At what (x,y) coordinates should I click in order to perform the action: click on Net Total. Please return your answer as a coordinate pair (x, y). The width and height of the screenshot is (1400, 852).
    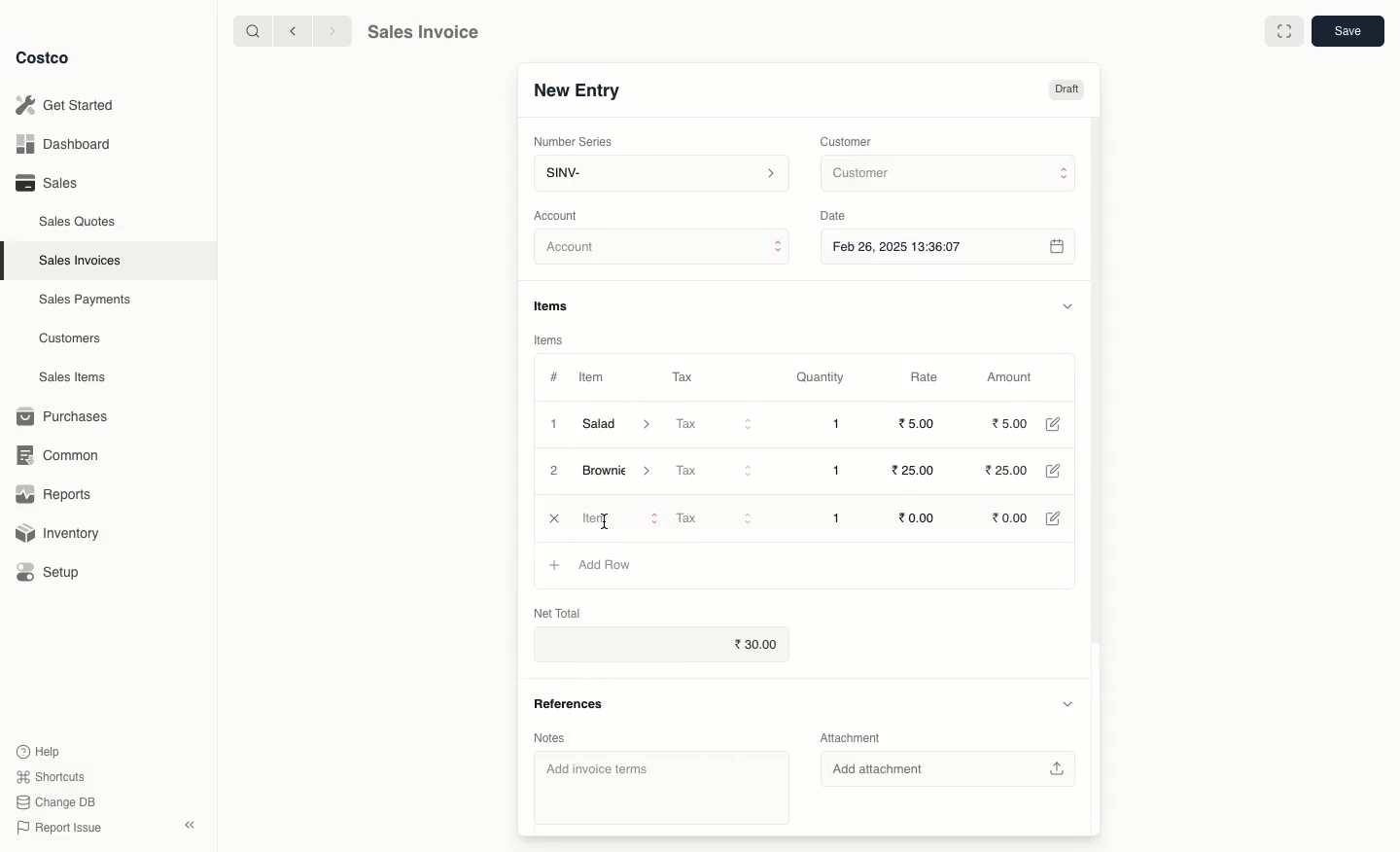
    Looking at the image, I should click on (561, 610).